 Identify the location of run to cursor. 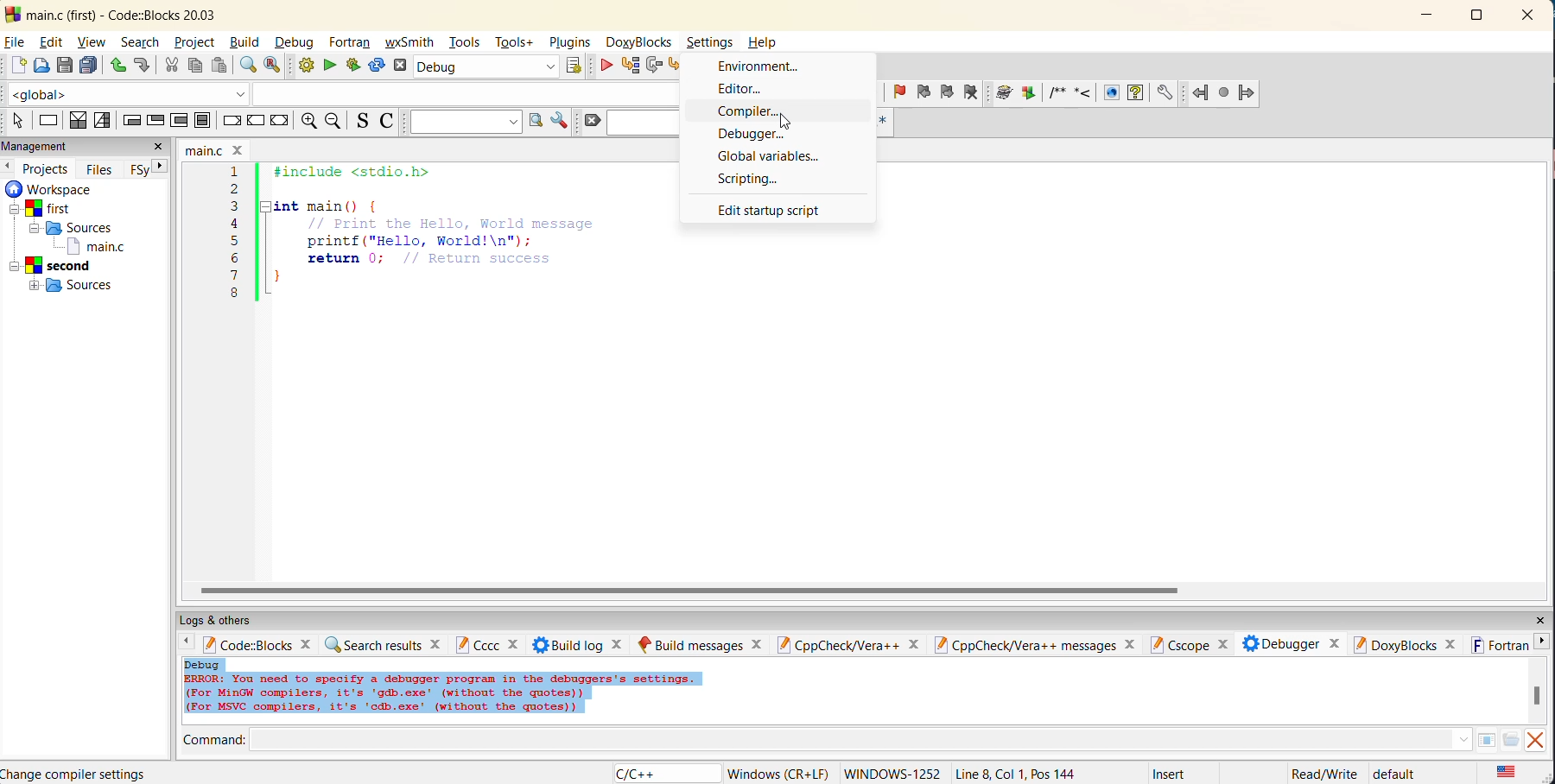
(628, 65).